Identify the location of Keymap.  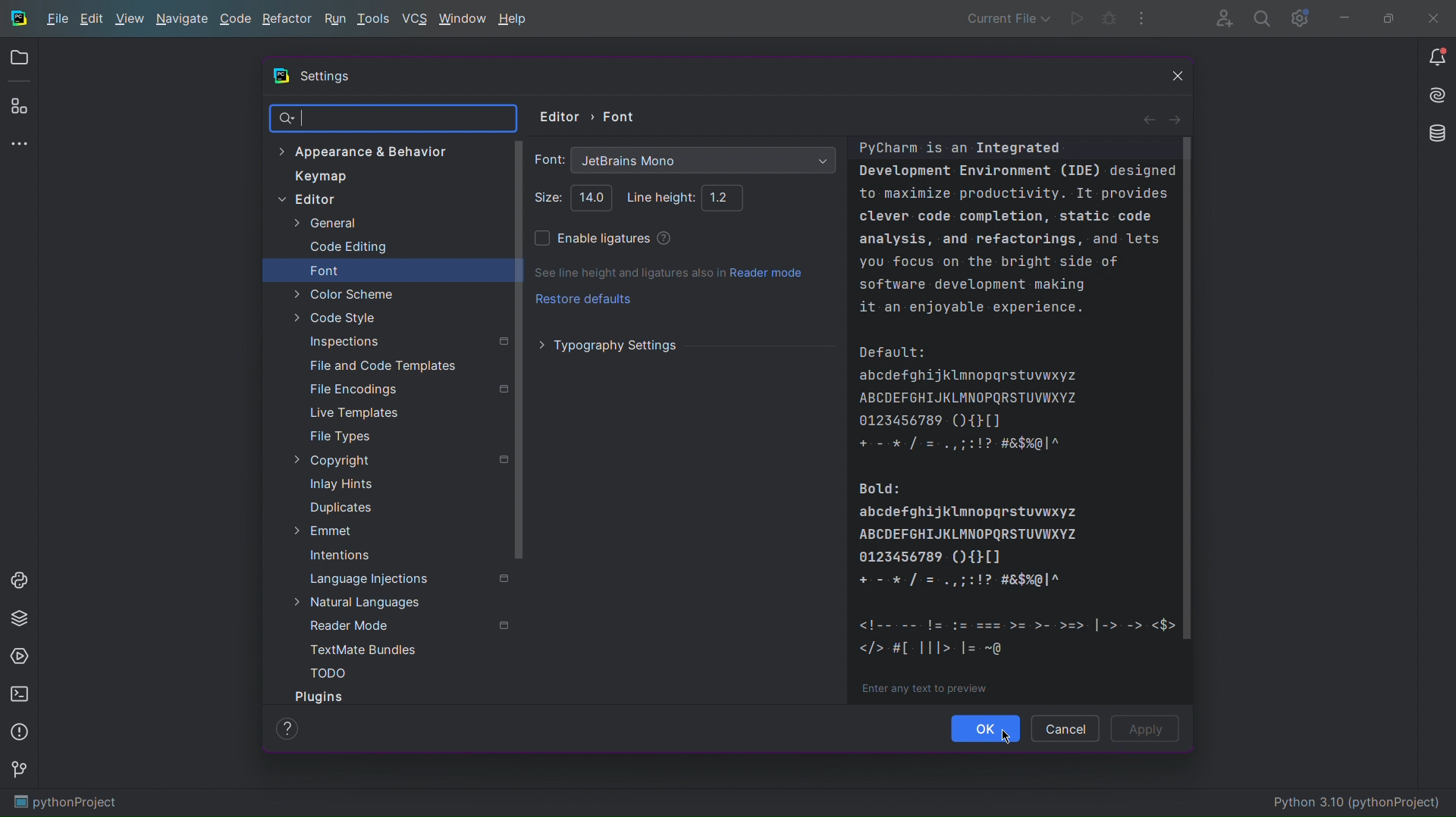
(321, 177).